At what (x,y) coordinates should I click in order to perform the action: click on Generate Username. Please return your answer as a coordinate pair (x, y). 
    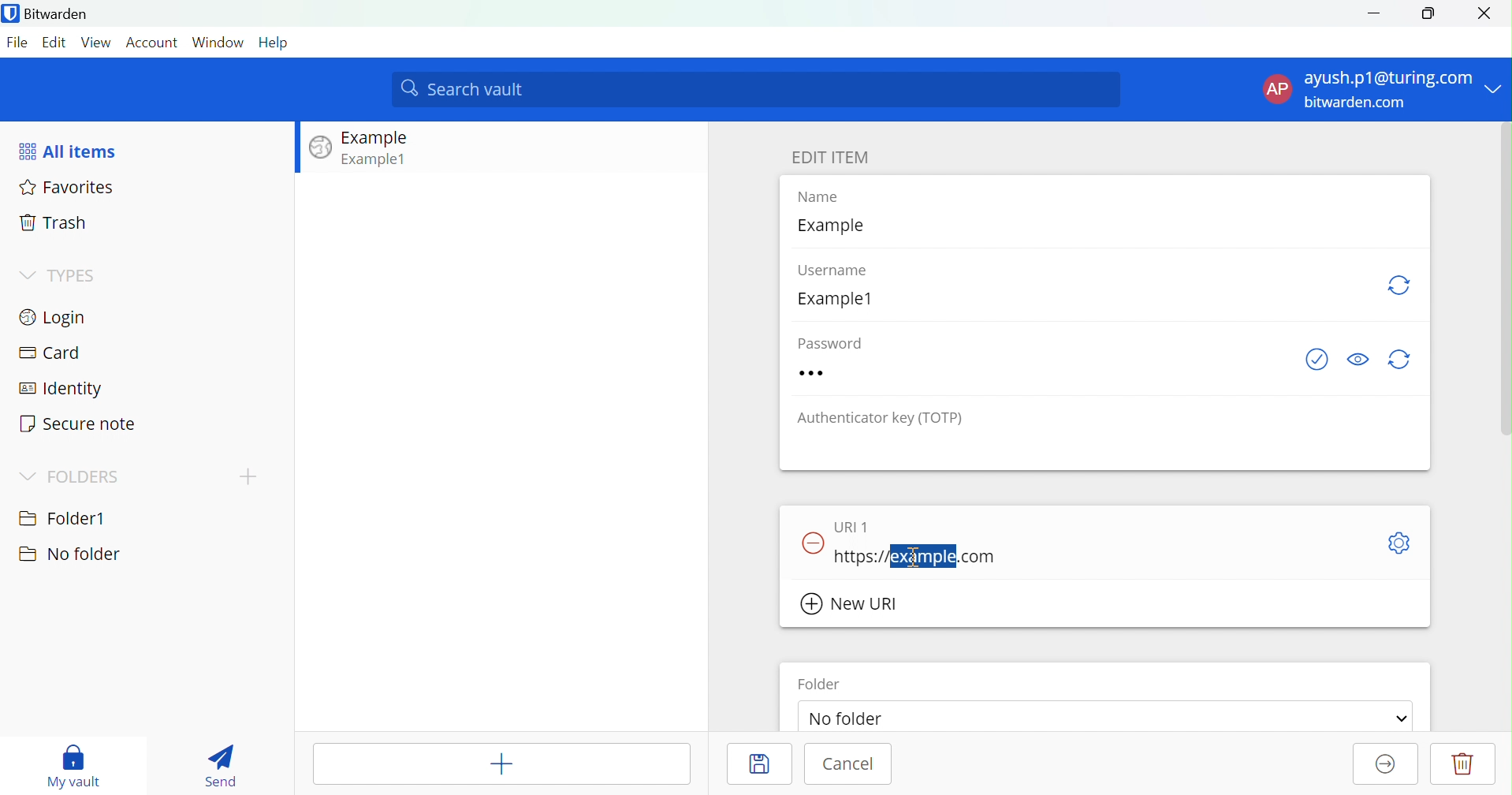
    Looking at the image, I should click on (1402, 286).